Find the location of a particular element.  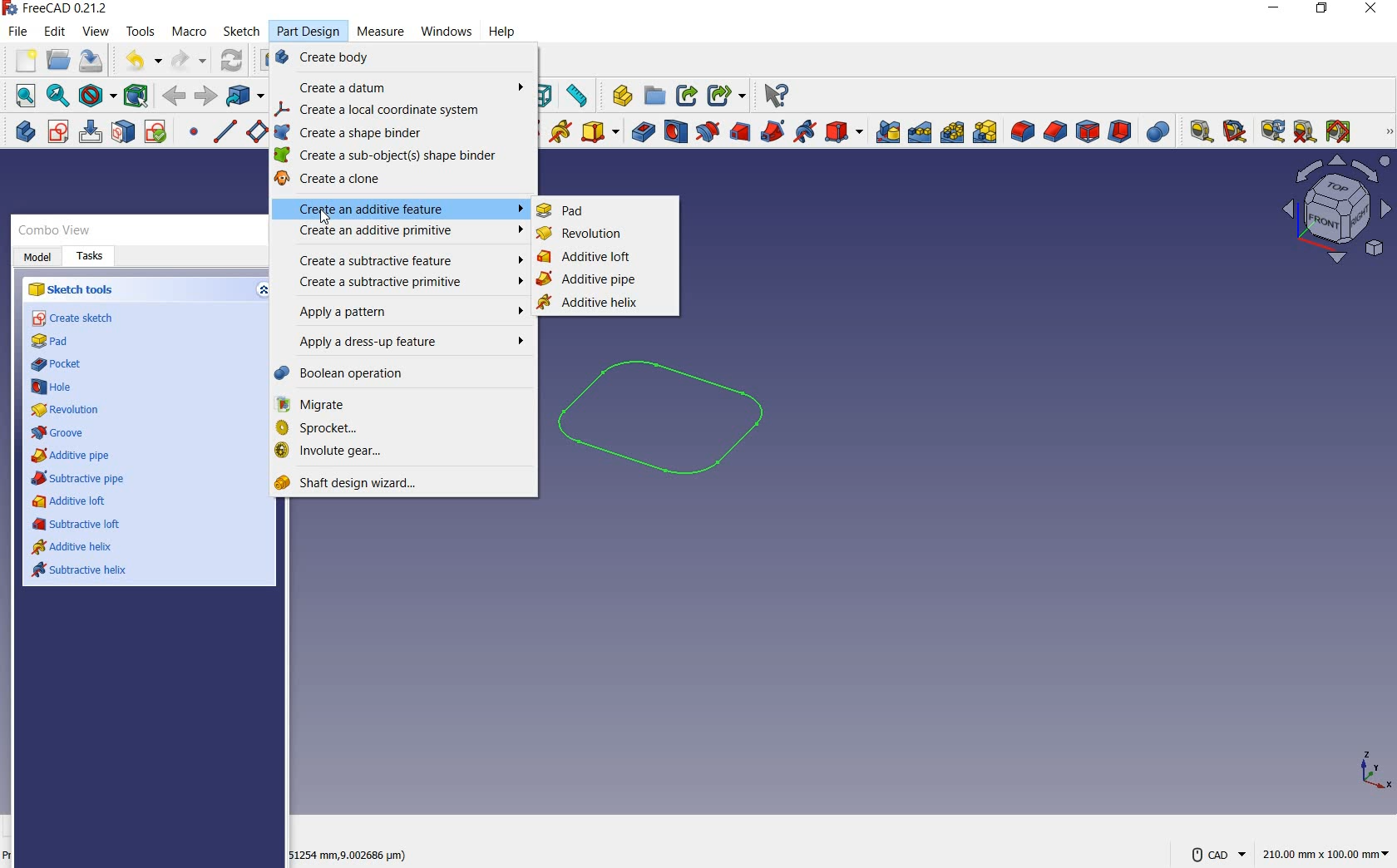

linearpattern is located at coordinates (921, 133).